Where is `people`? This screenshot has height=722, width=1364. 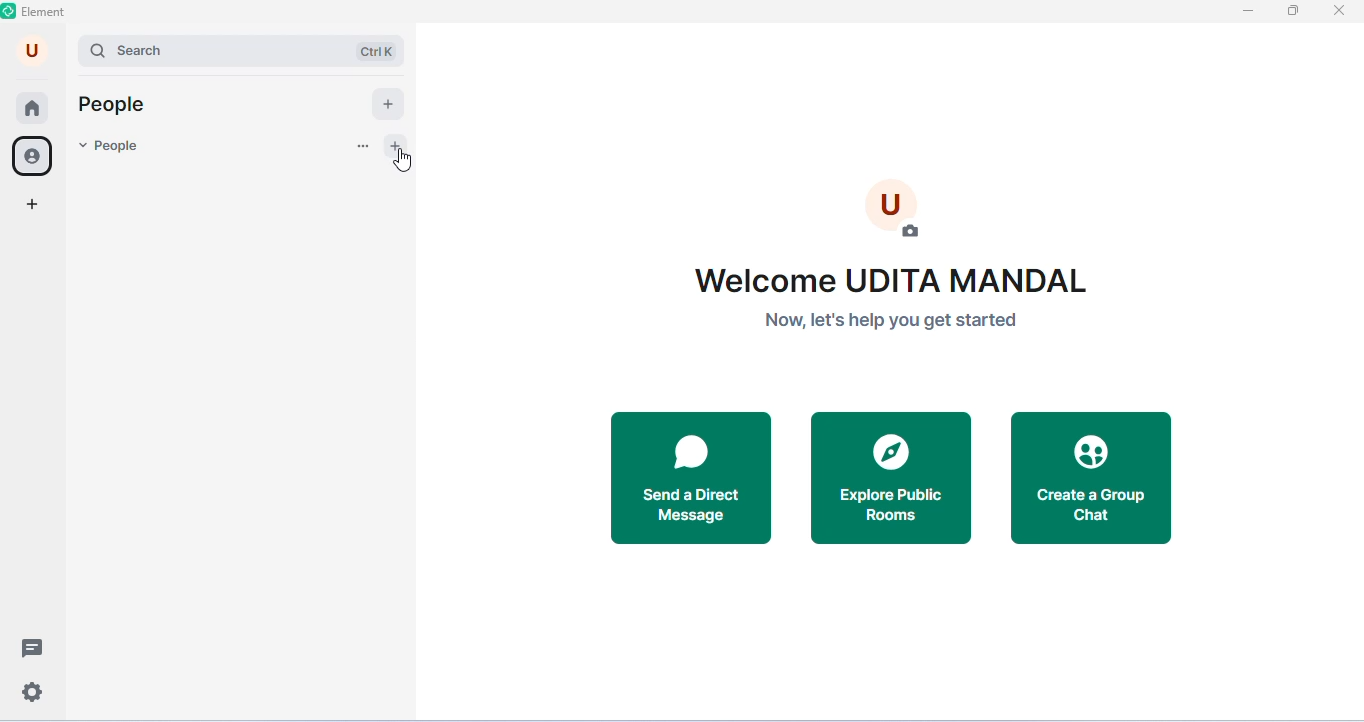 people is located at coordinates (35, 157).